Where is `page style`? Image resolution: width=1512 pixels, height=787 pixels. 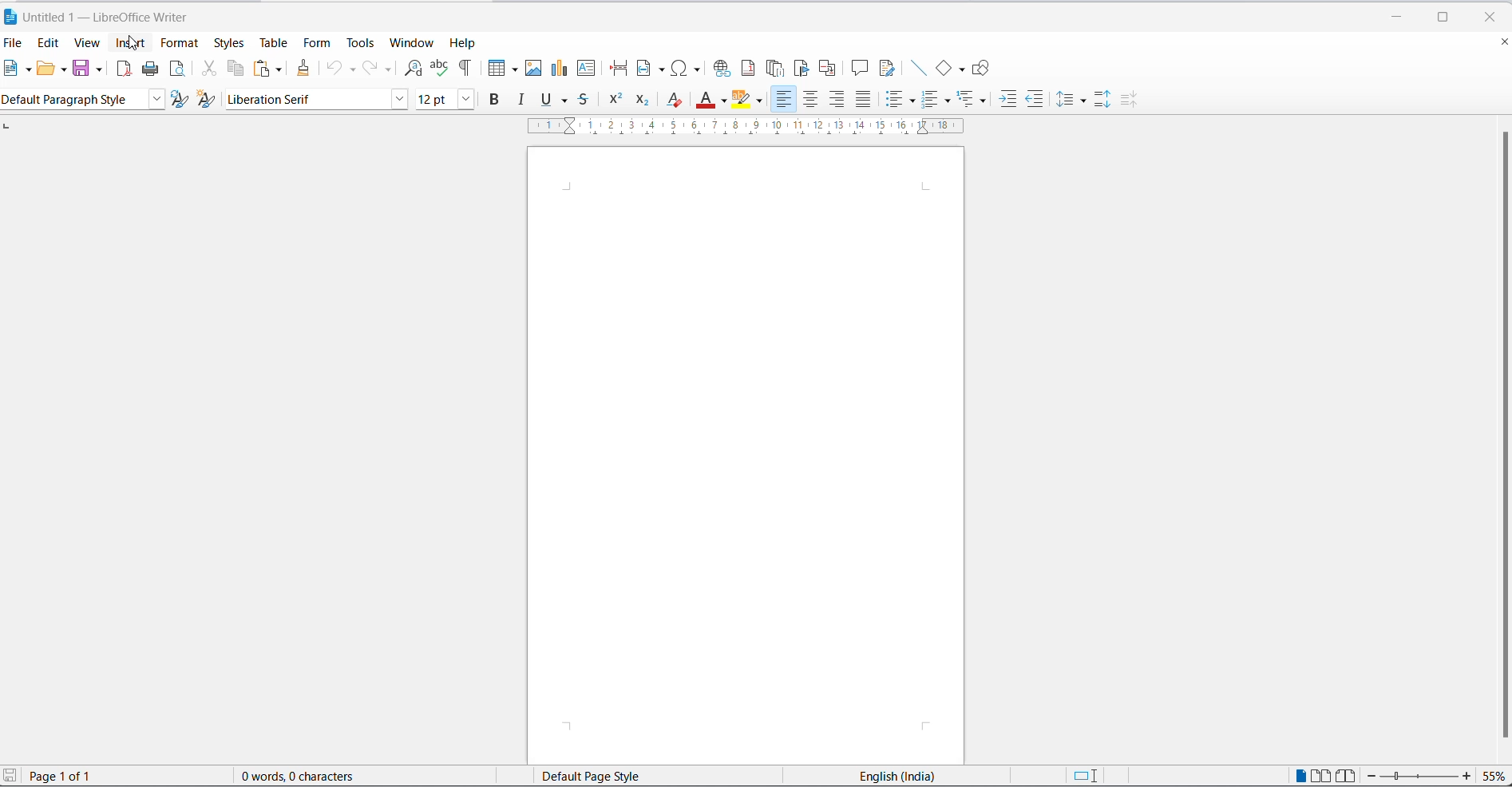 page style is located at coordinates (610, 775).